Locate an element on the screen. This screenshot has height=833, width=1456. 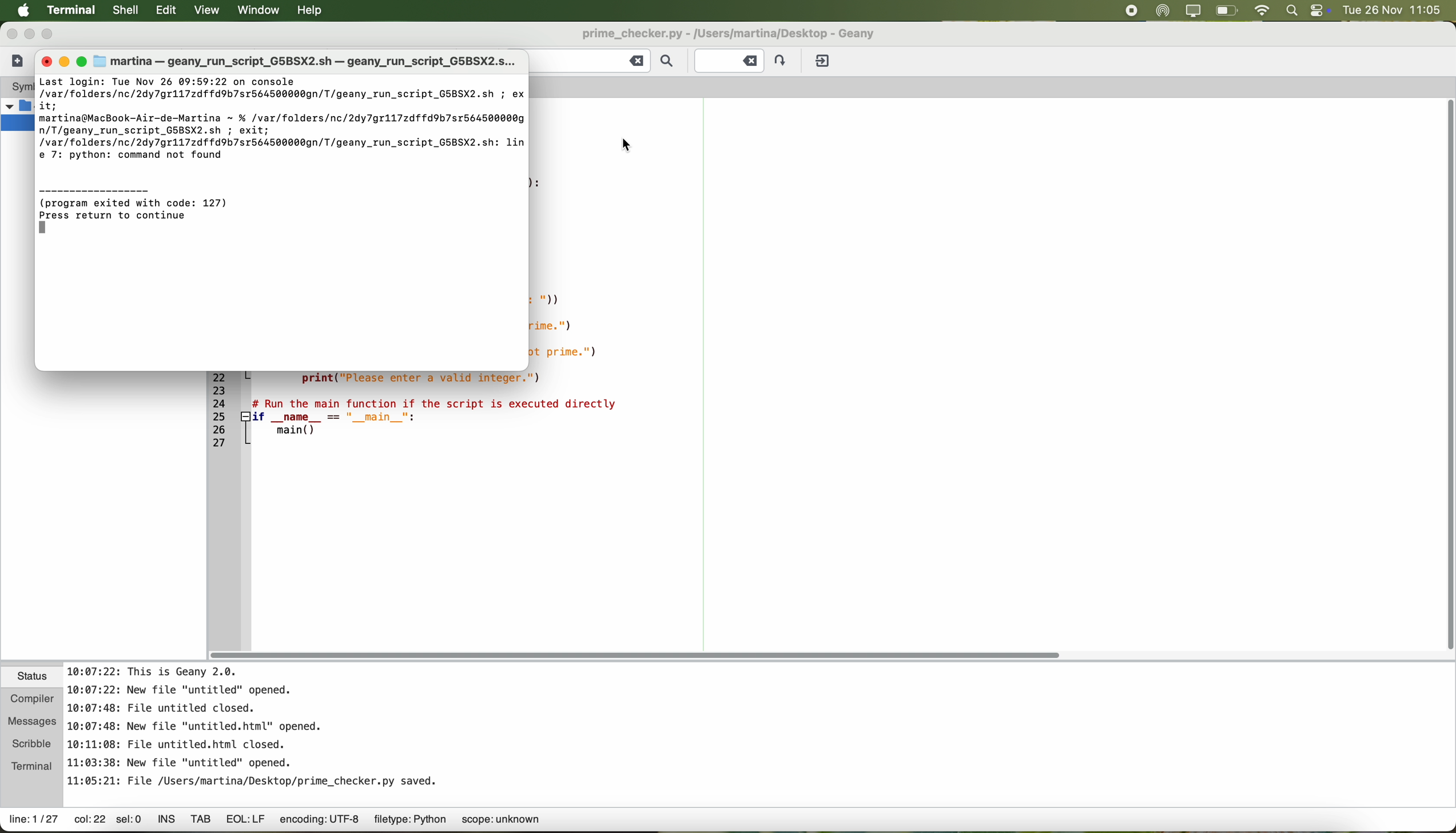
airdrop is located at coordinates (1163, 11).